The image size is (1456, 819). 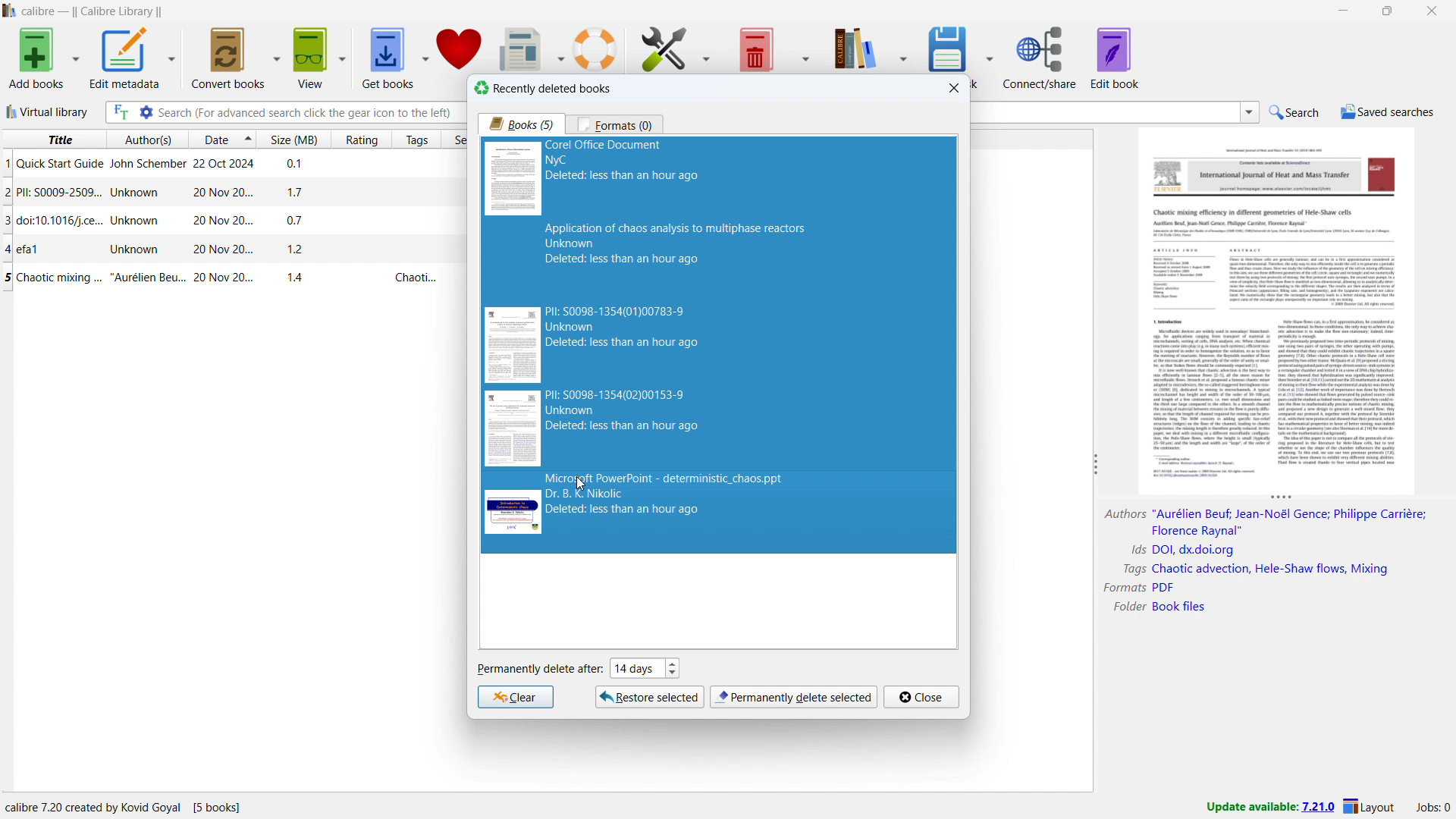 What do you see at coordinates (388, 58) in the screenshot?
I see `get books` at bounding box center [388, 58].